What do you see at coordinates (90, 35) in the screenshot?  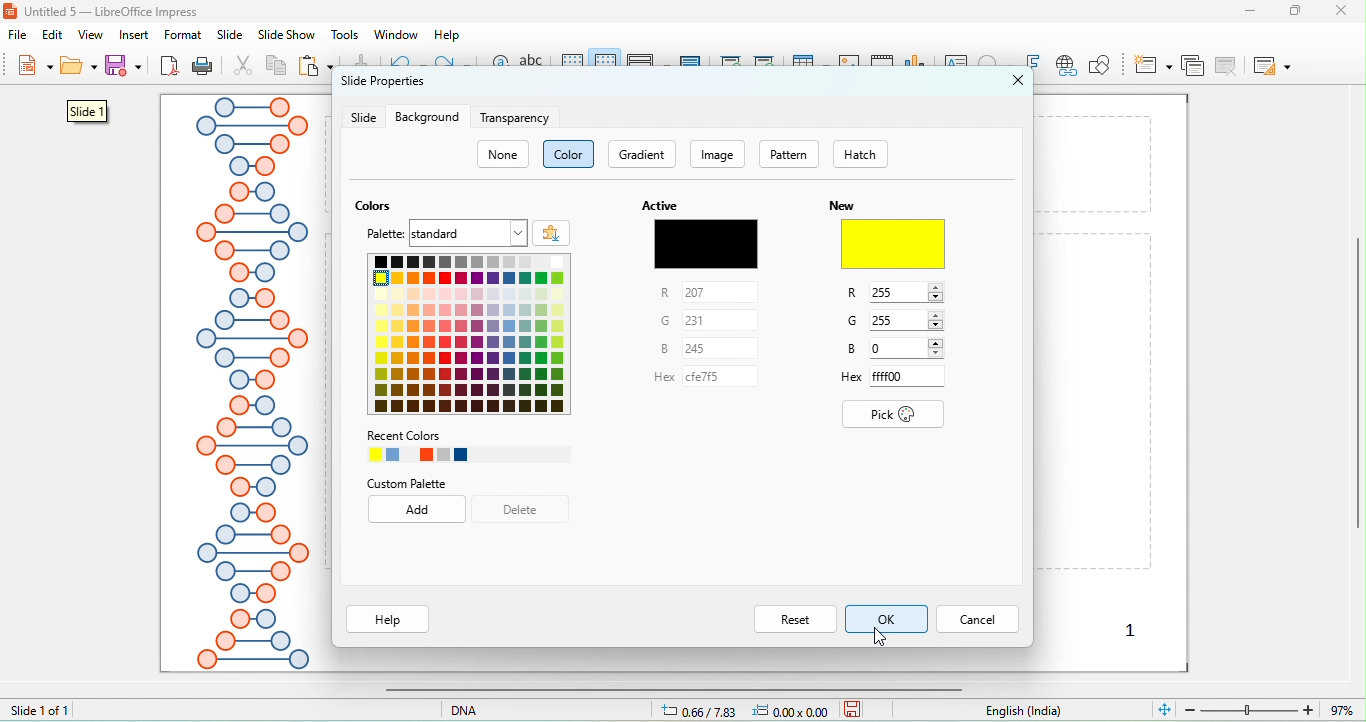 I see `view` at bounding box center [90, 35].